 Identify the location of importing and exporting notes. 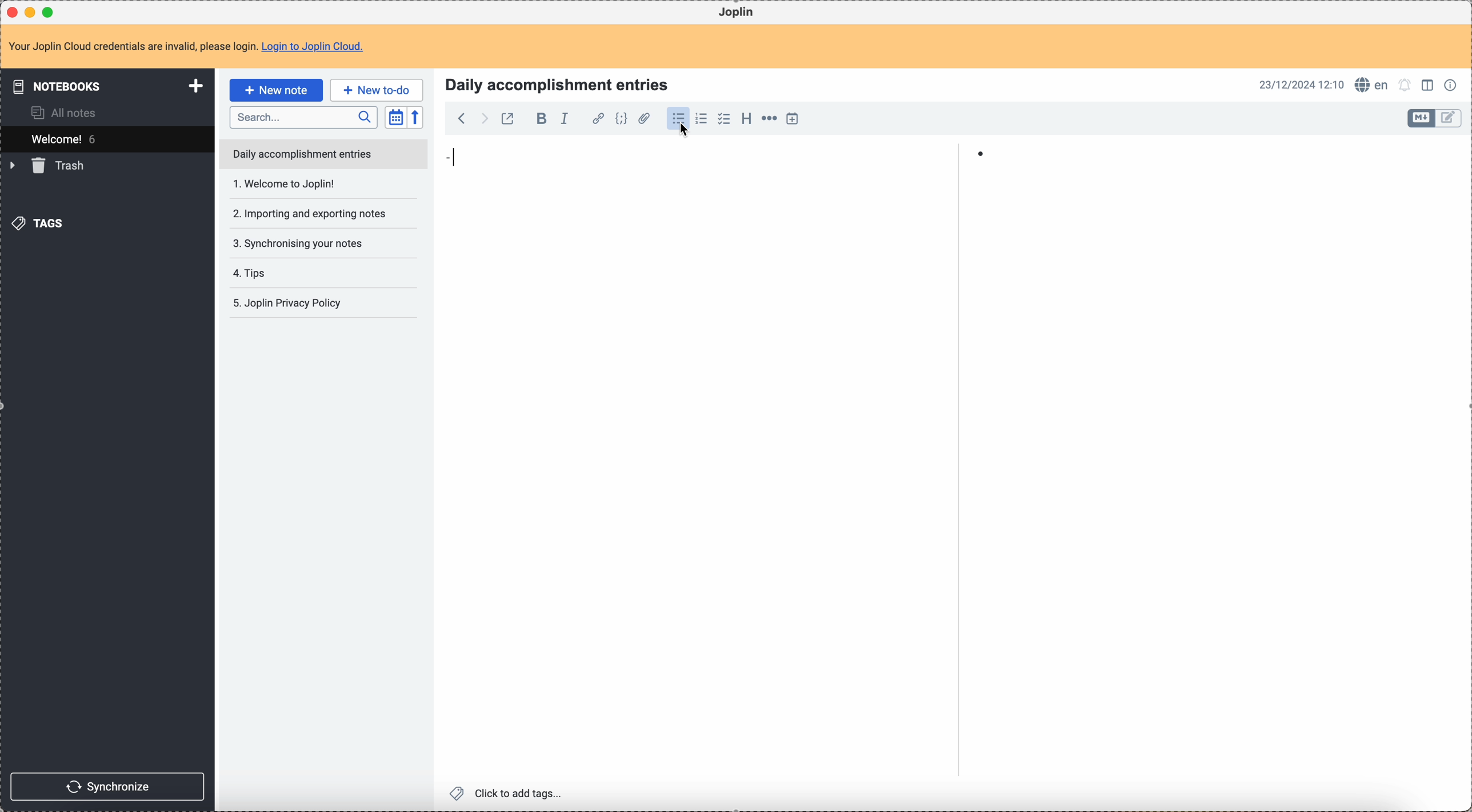
(309, 183).